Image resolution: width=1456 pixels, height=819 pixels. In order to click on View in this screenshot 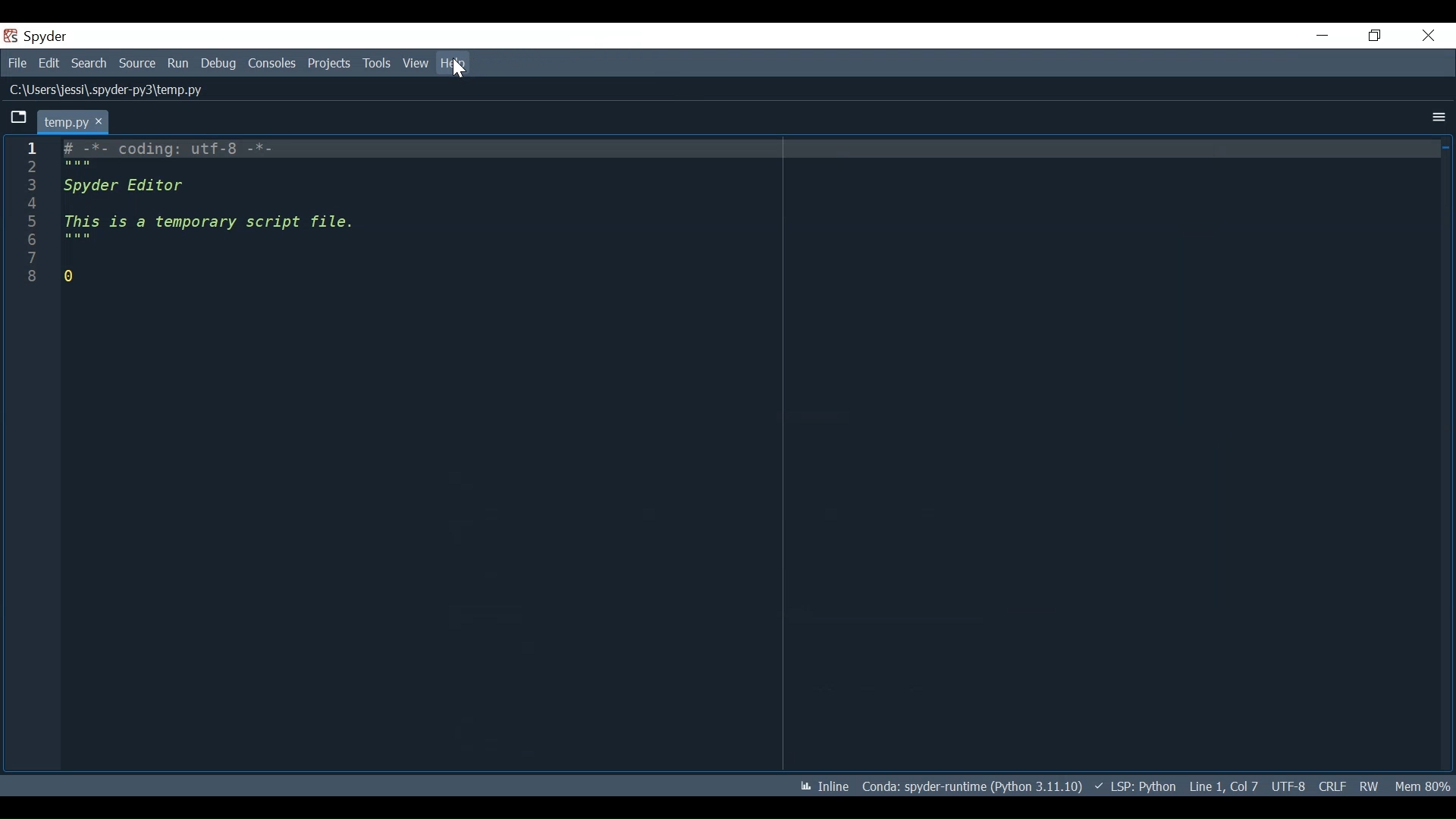, I will do `click(416, 63)`.